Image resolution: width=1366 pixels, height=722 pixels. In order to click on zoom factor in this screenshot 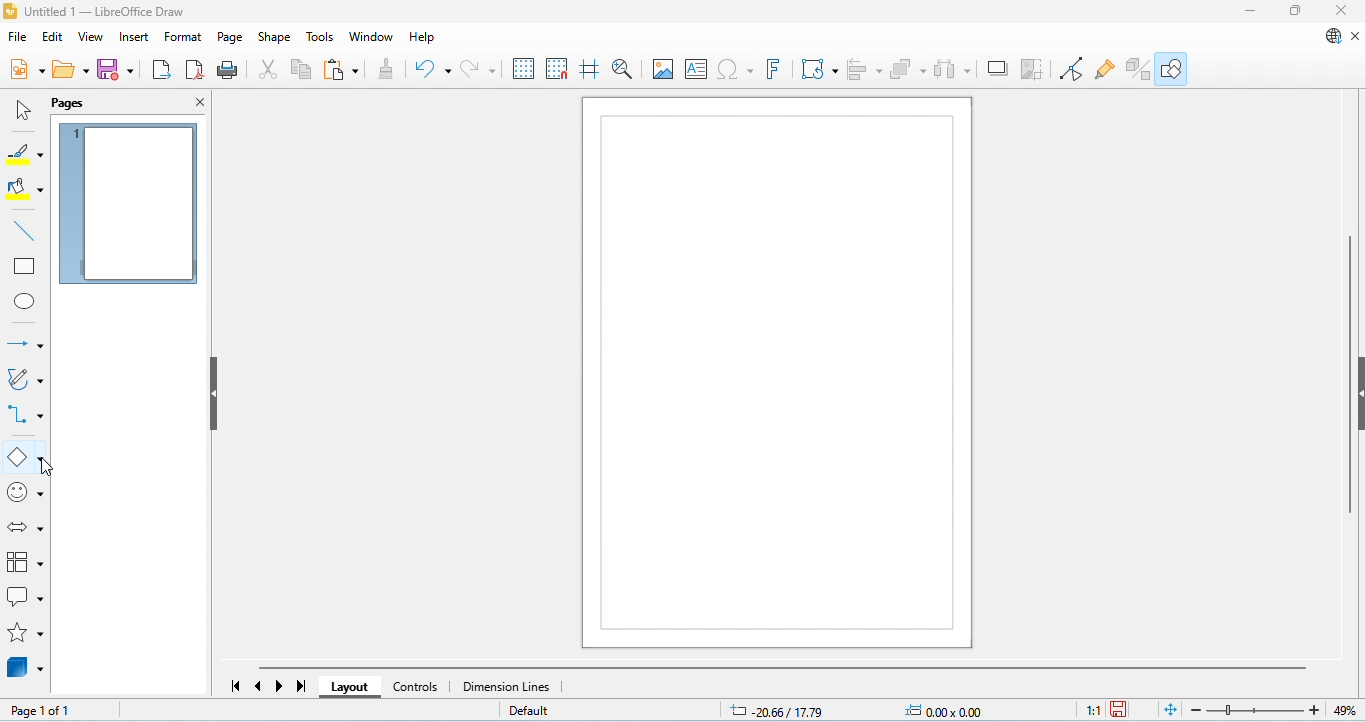, I will do `click(1275, 710)`.